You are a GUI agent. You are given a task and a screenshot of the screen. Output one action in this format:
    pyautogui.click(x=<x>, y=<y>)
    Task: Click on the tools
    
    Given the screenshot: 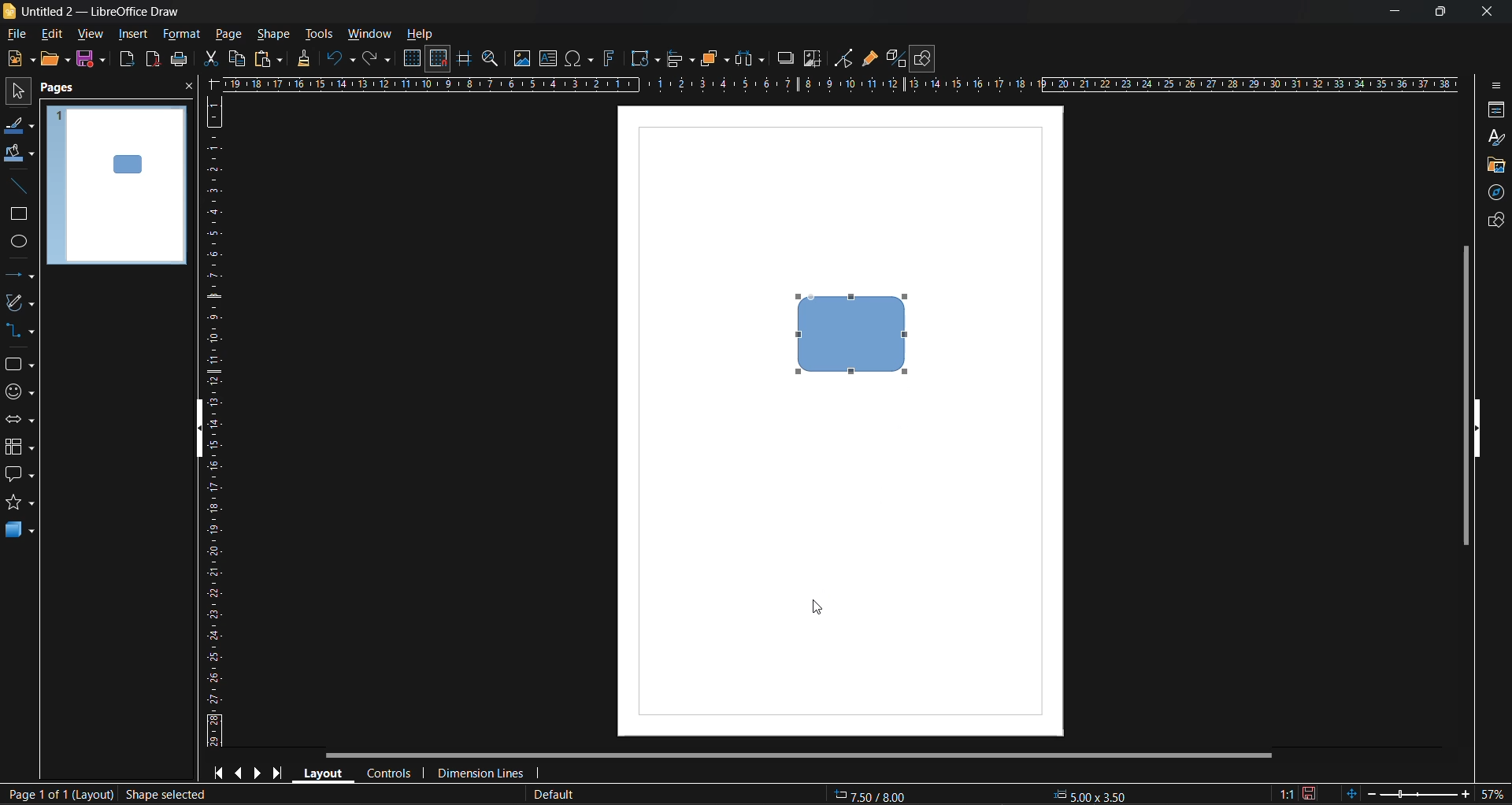 What is the action you would take?
    pyautogui.click(x=322, y=35)
    